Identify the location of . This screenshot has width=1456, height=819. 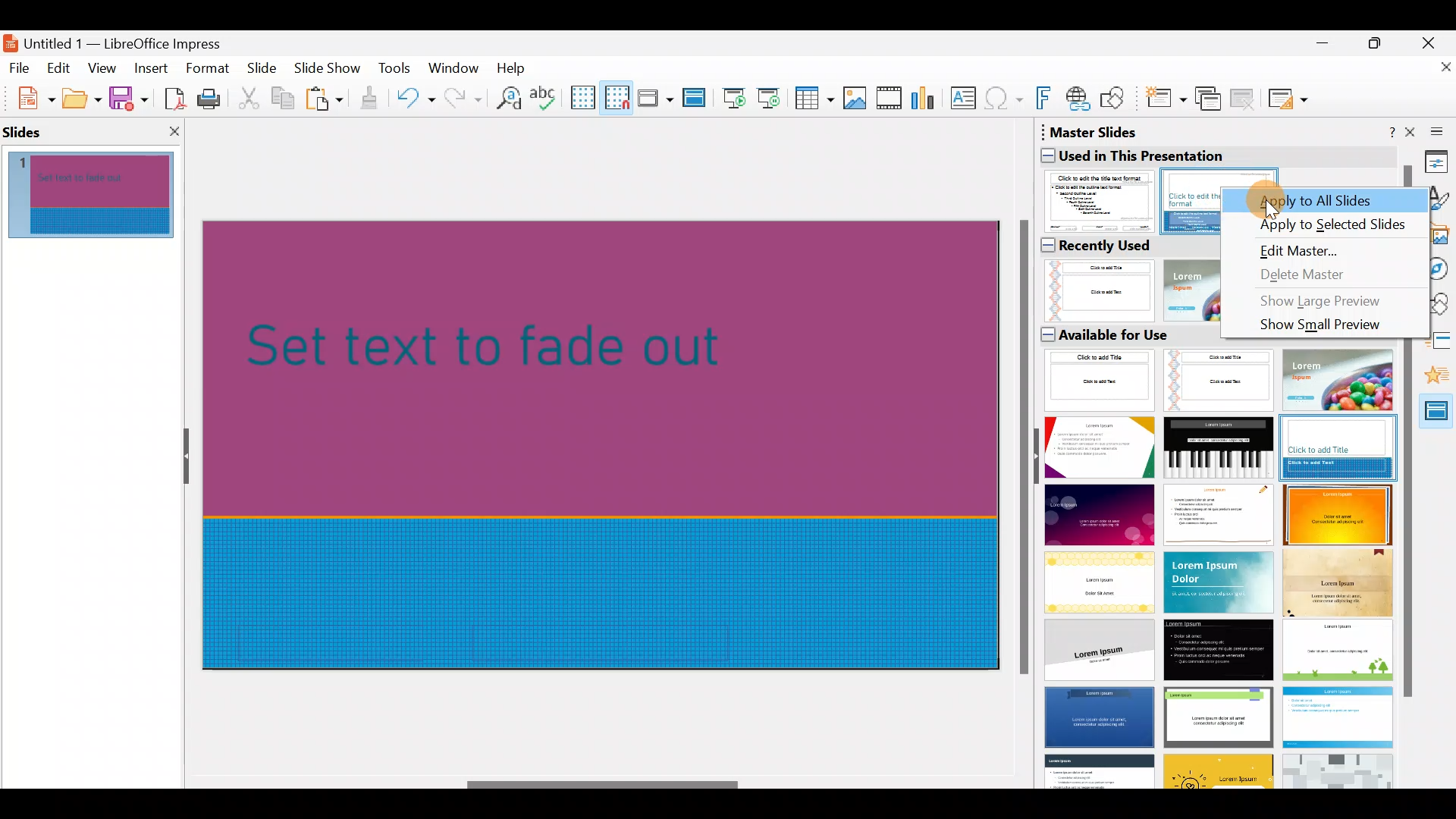
(174, 457).